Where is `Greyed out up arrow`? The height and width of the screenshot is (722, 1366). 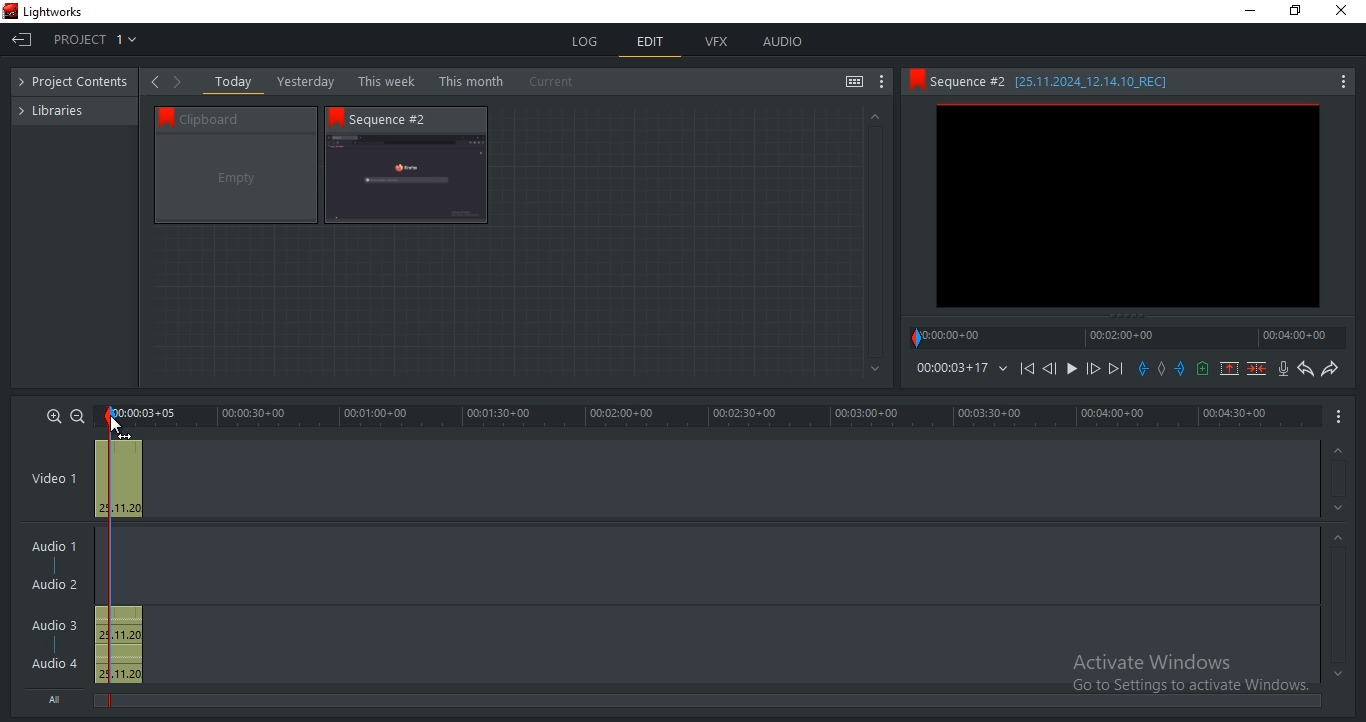
Greyed out up arrow is located at coordinates (1341, 540).